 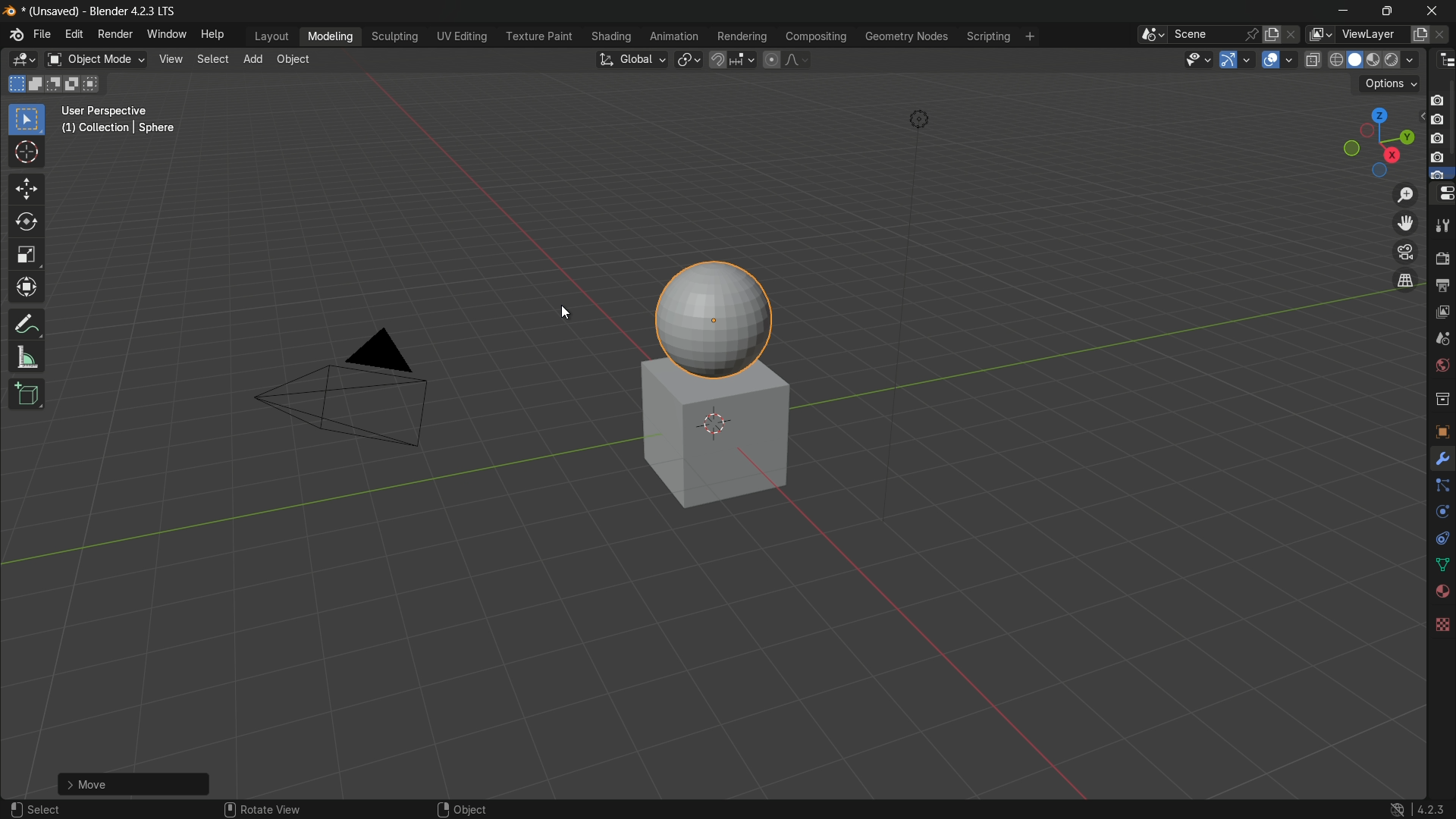 I want to click on output, so click(x=1442, y=284).